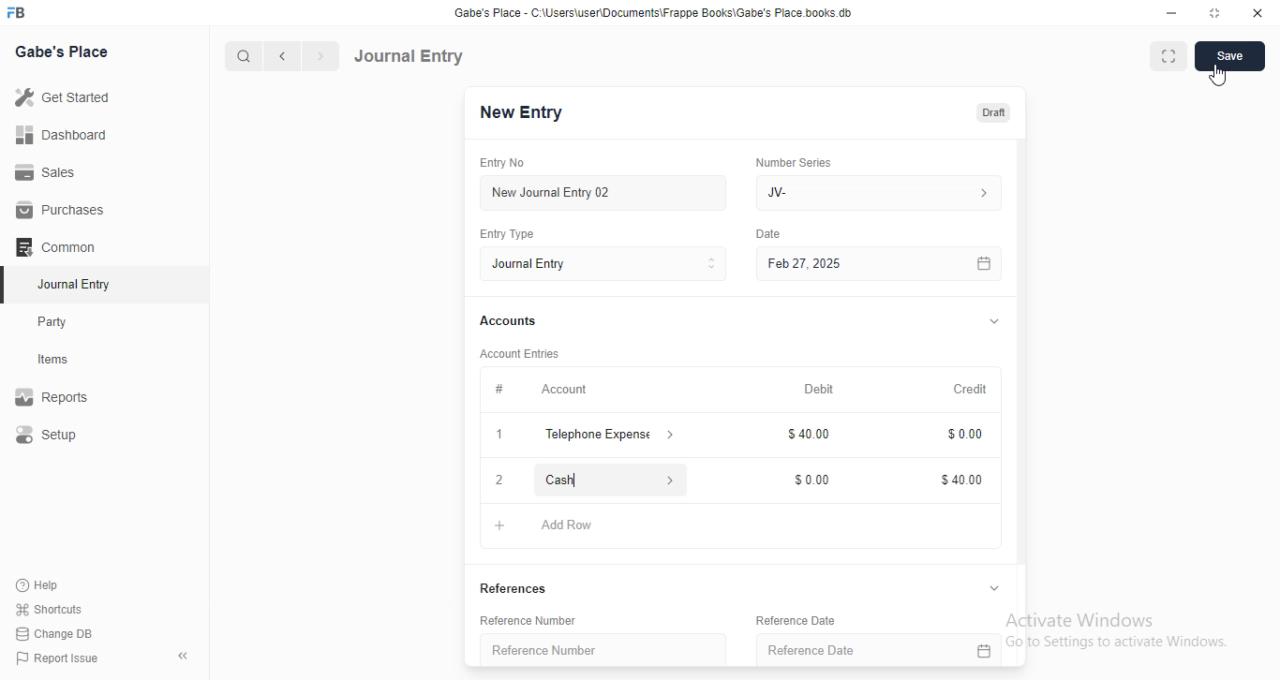 Image resolution: width=1280 pixels, height=680 pixels. I want to click on Telephone Expense, so click(611, 433).